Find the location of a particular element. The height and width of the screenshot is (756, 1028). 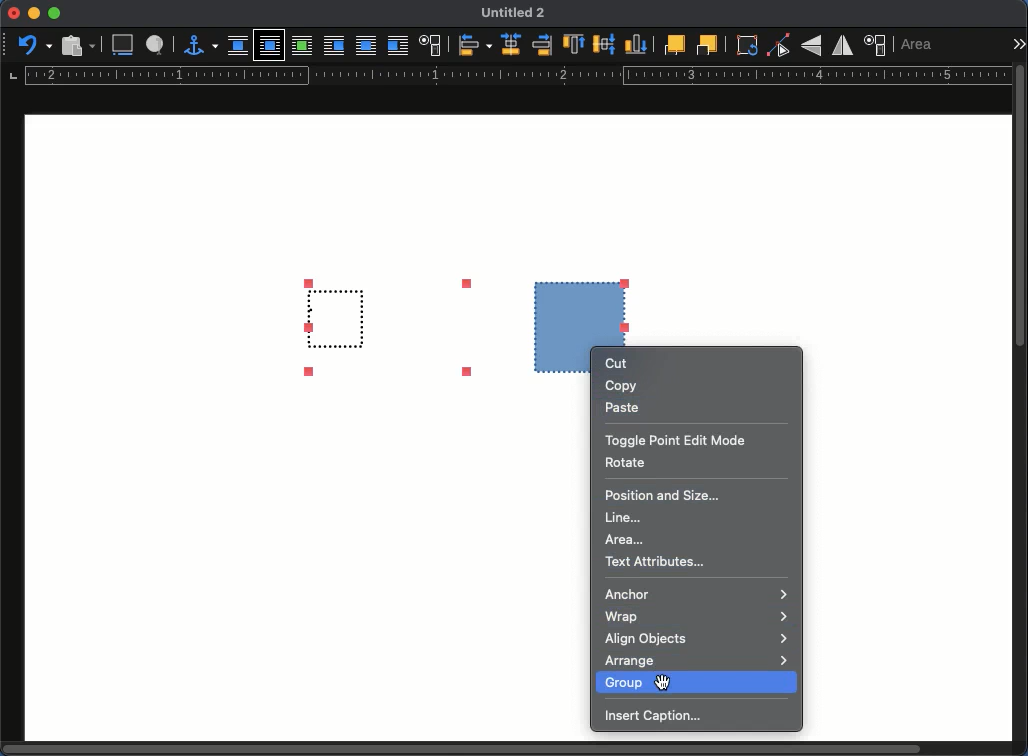

middle is located at coordinates (605, 44).